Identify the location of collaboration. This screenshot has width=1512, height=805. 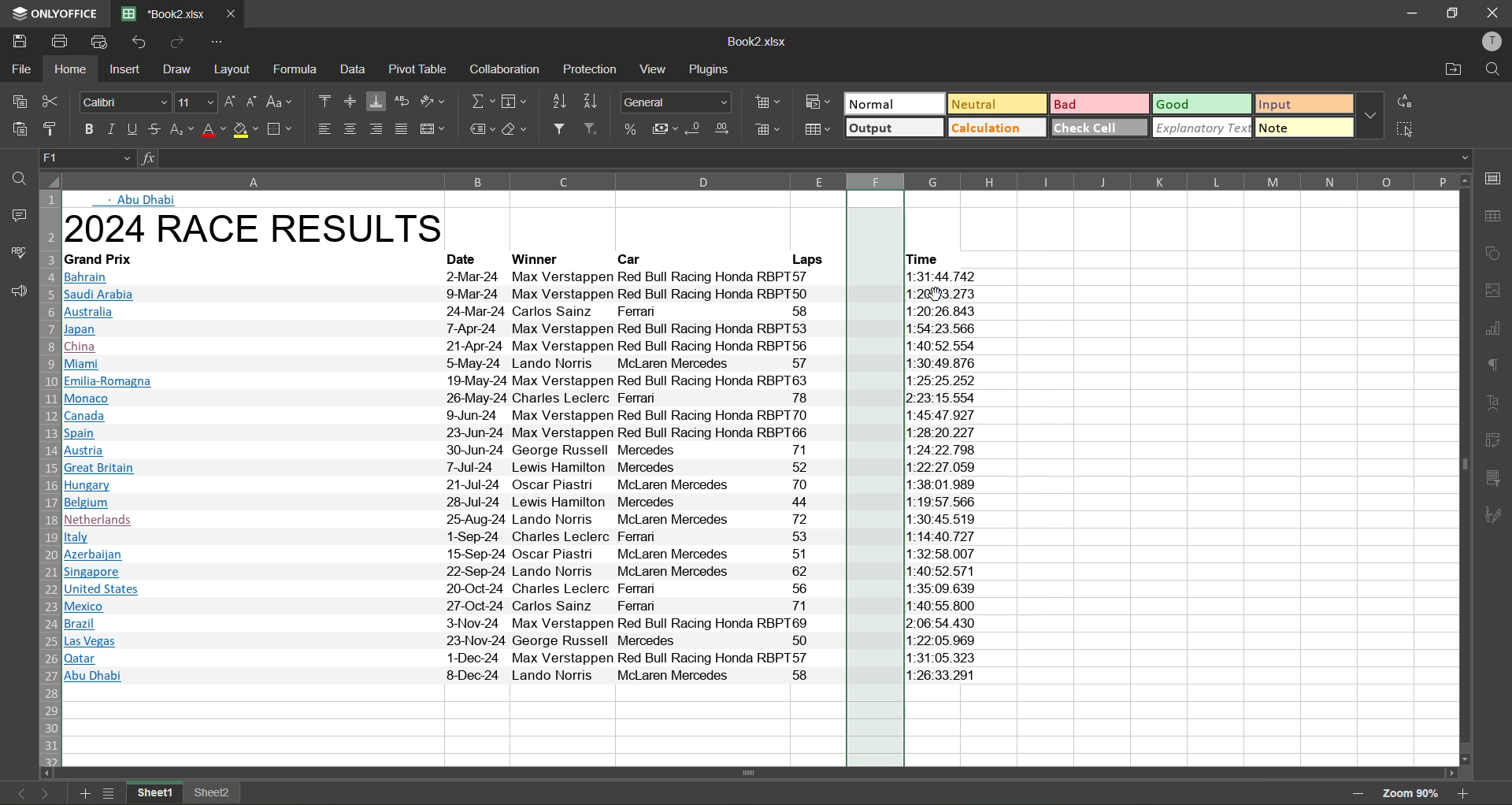
(506, 69).